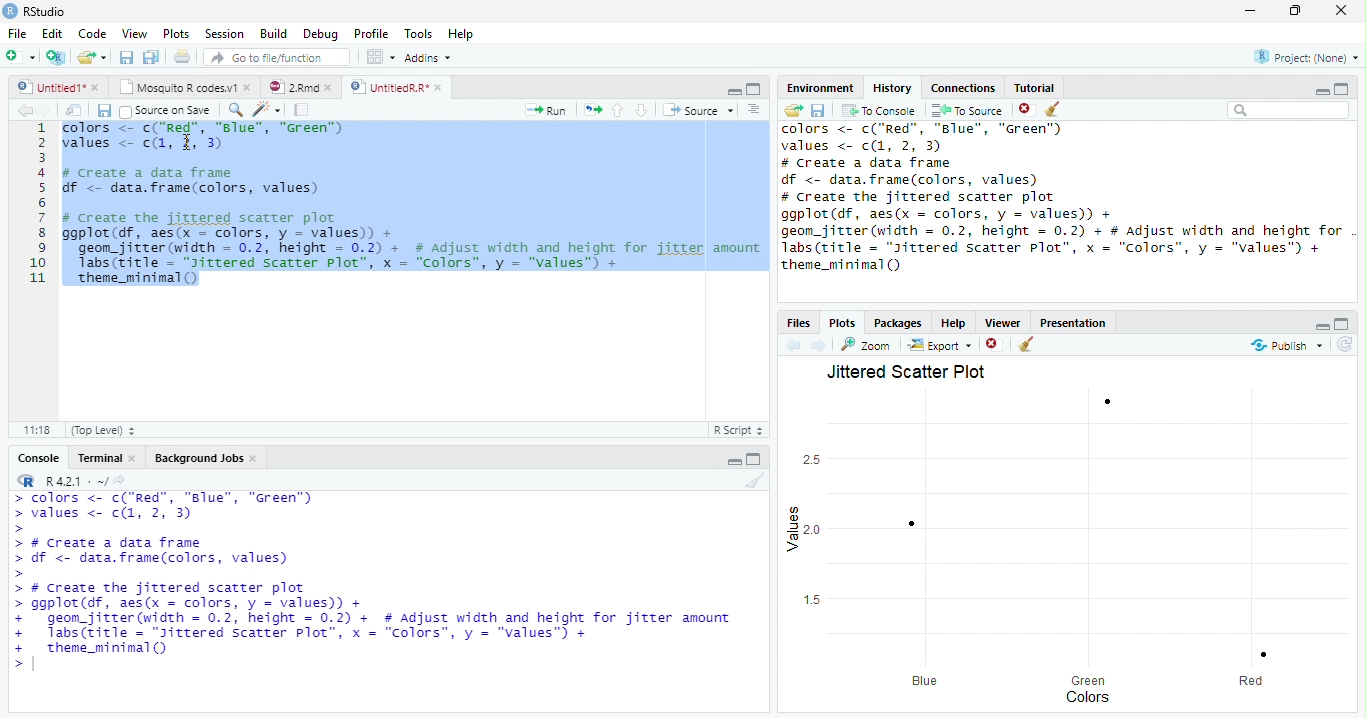 The image size is (1366, 718). I want to click on Save current document, so click(127, 57).